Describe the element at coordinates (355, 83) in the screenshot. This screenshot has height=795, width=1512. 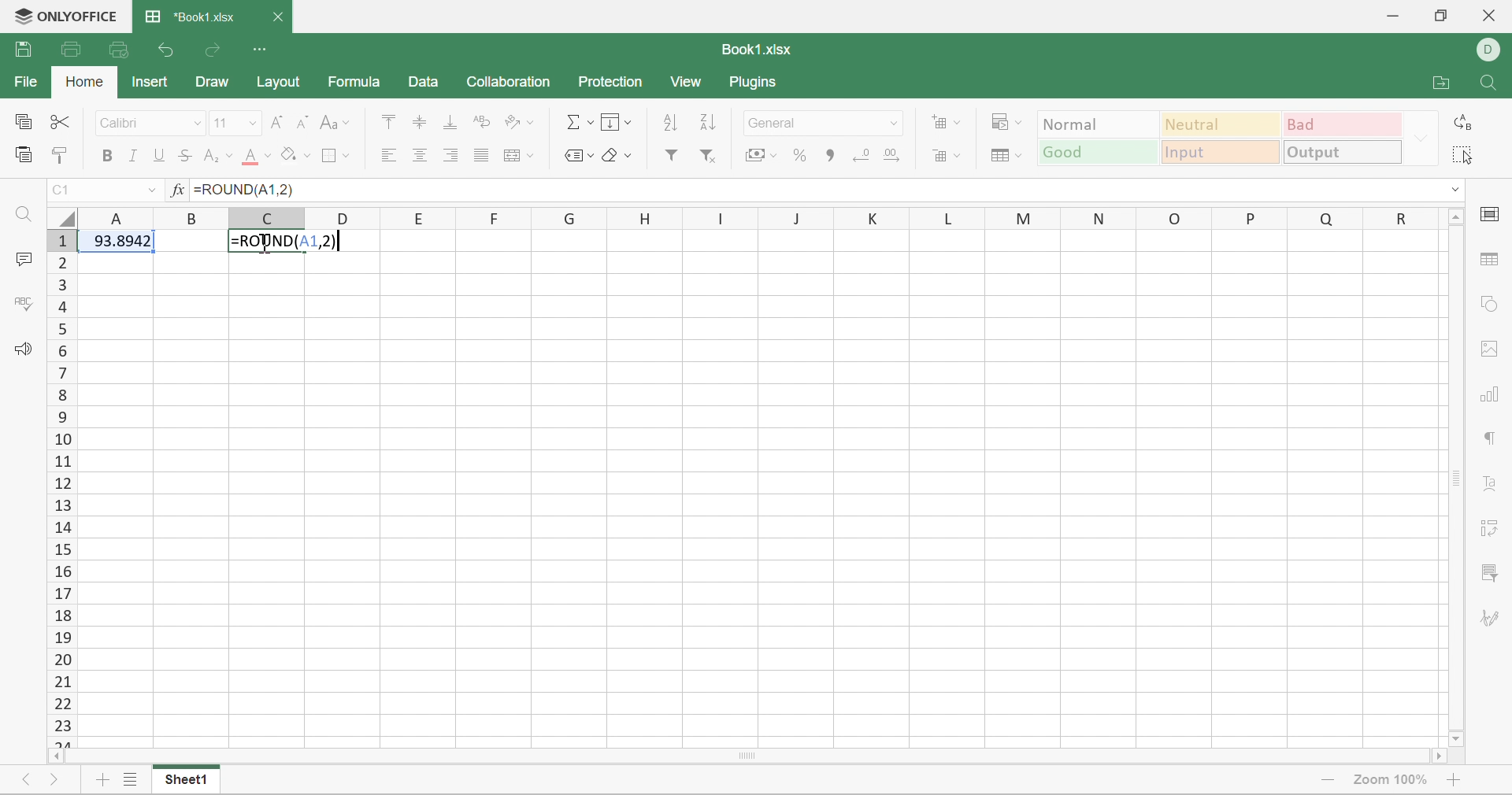
I see `Formula` at that location.